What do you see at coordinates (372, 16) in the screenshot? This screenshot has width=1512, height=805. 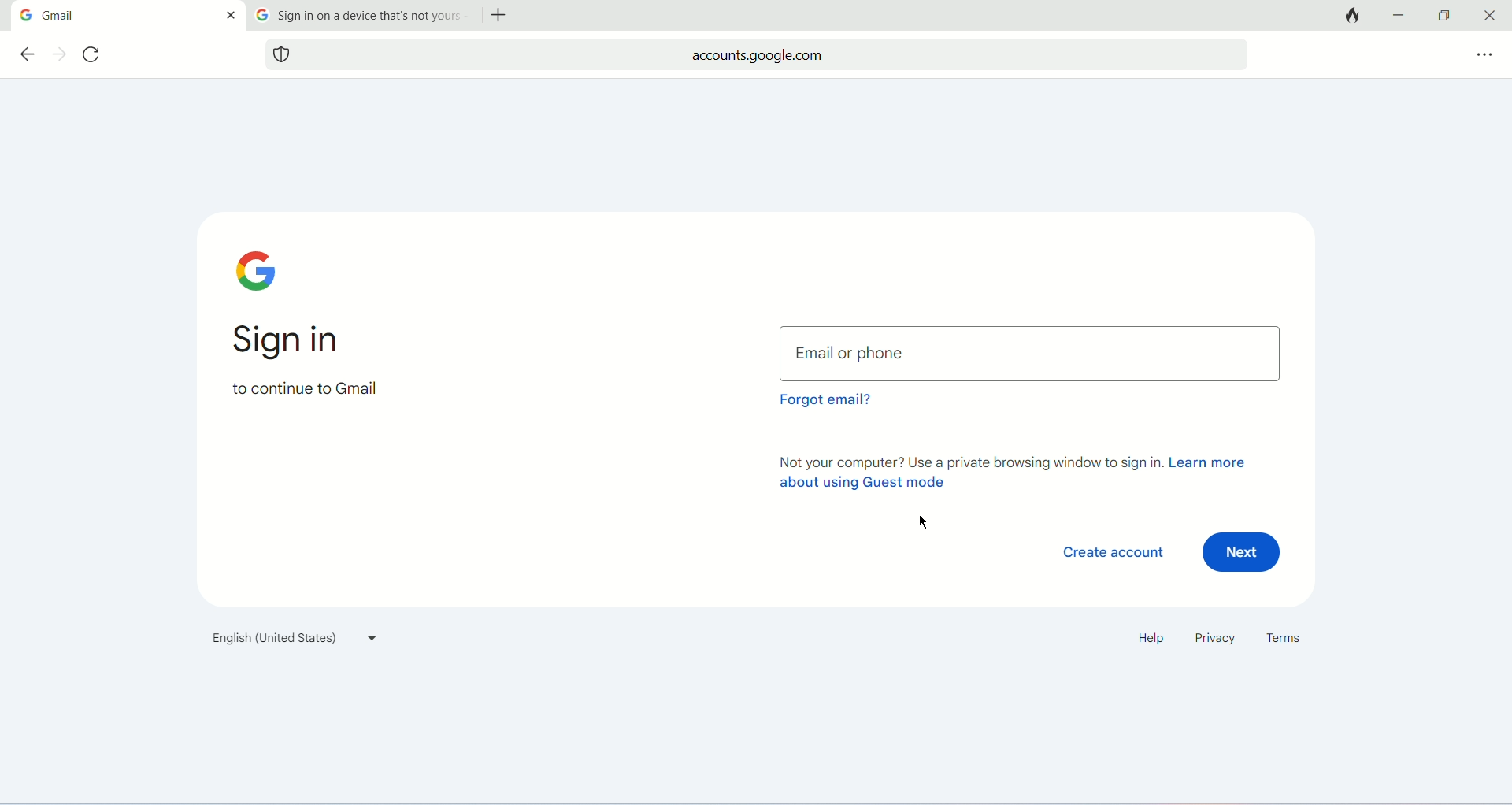 I see `sign in on a device thats not your ` at bounding box center [372, 16].